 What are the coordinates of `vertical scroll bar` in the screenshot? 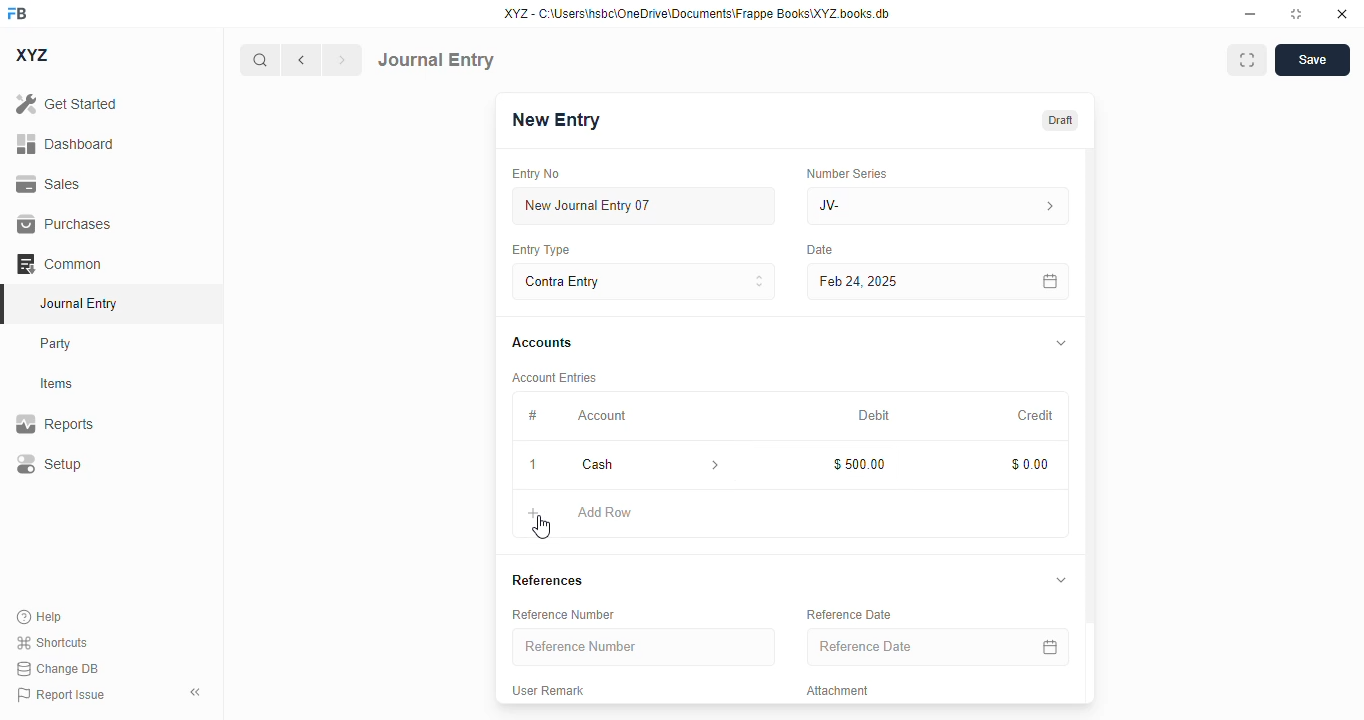 It's located at (1090, 426).